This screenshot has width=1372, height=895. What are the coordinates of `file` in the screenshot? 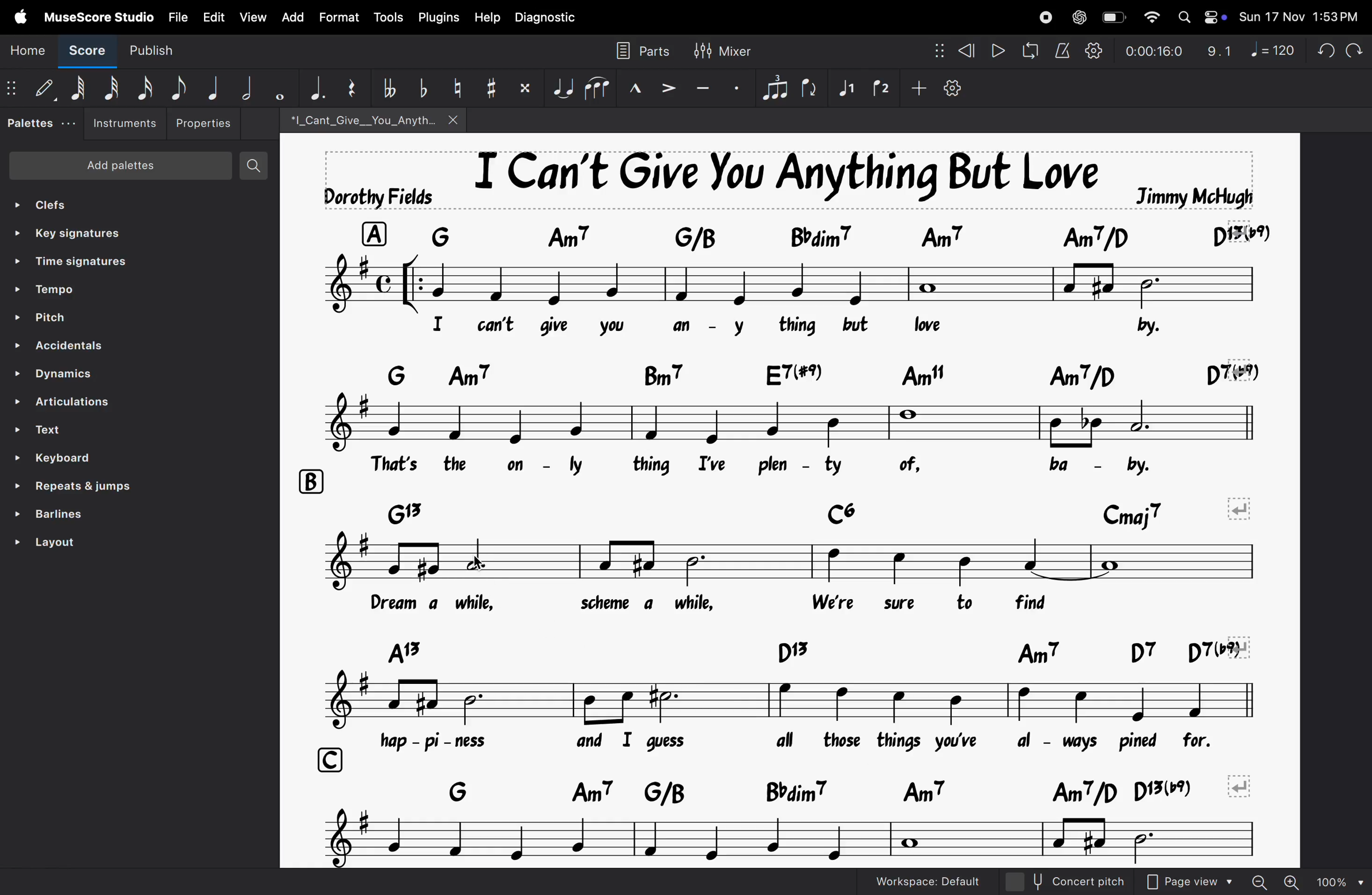 It's located at (177, 17).